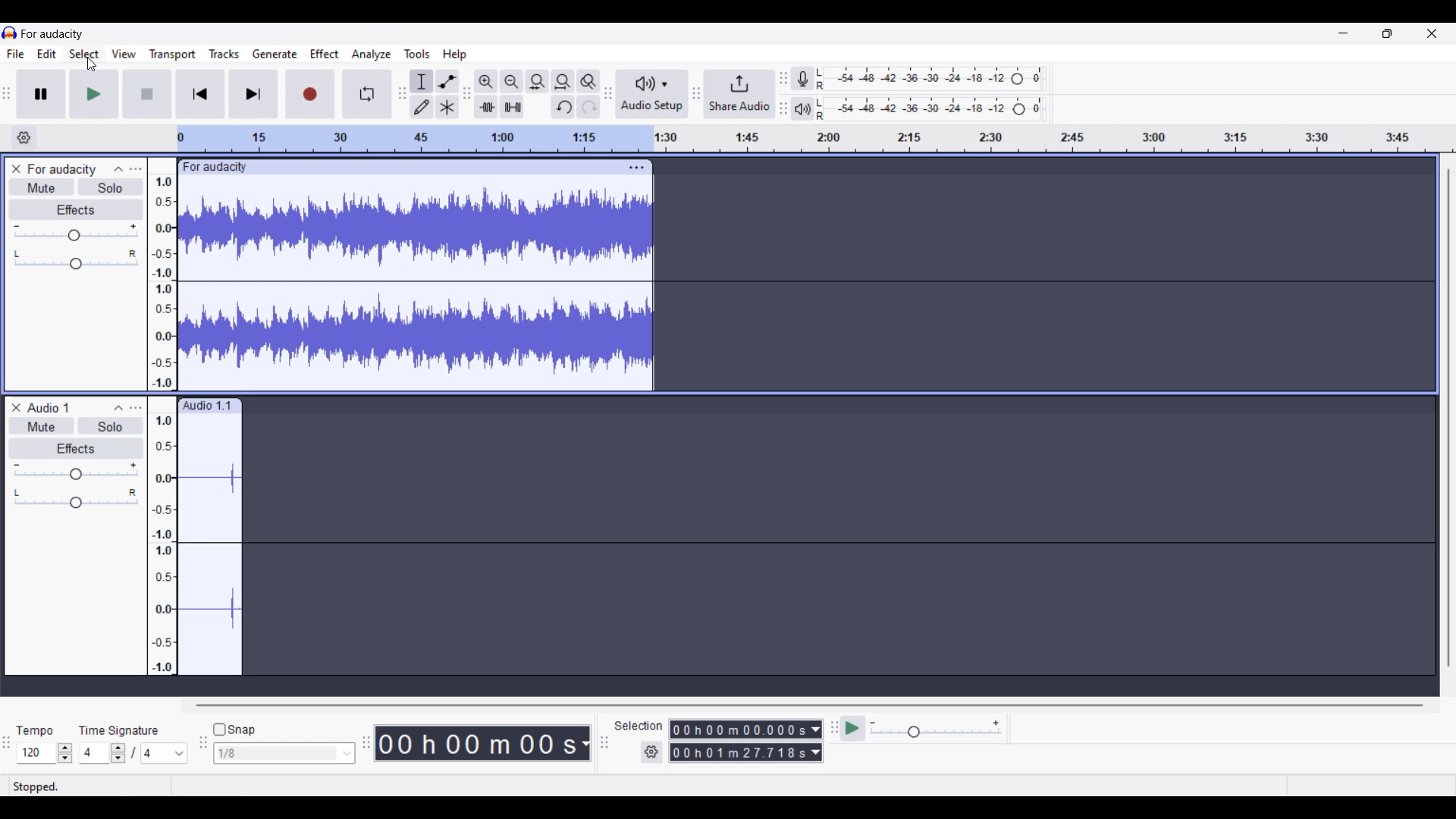  I want to click on selection, so click(639, 725).